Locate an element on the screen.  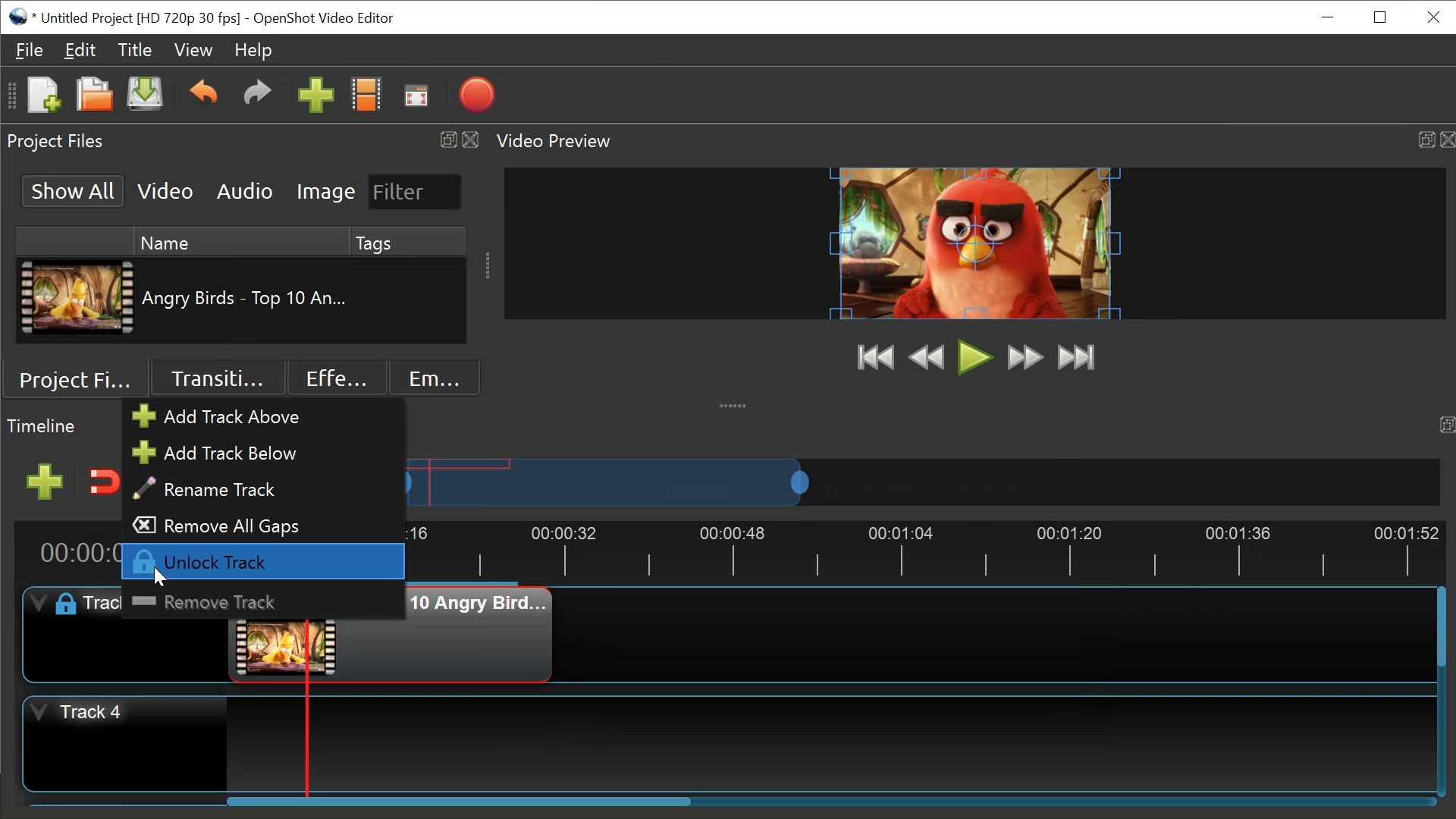
Clip Name is located at coordinates (245, 302).